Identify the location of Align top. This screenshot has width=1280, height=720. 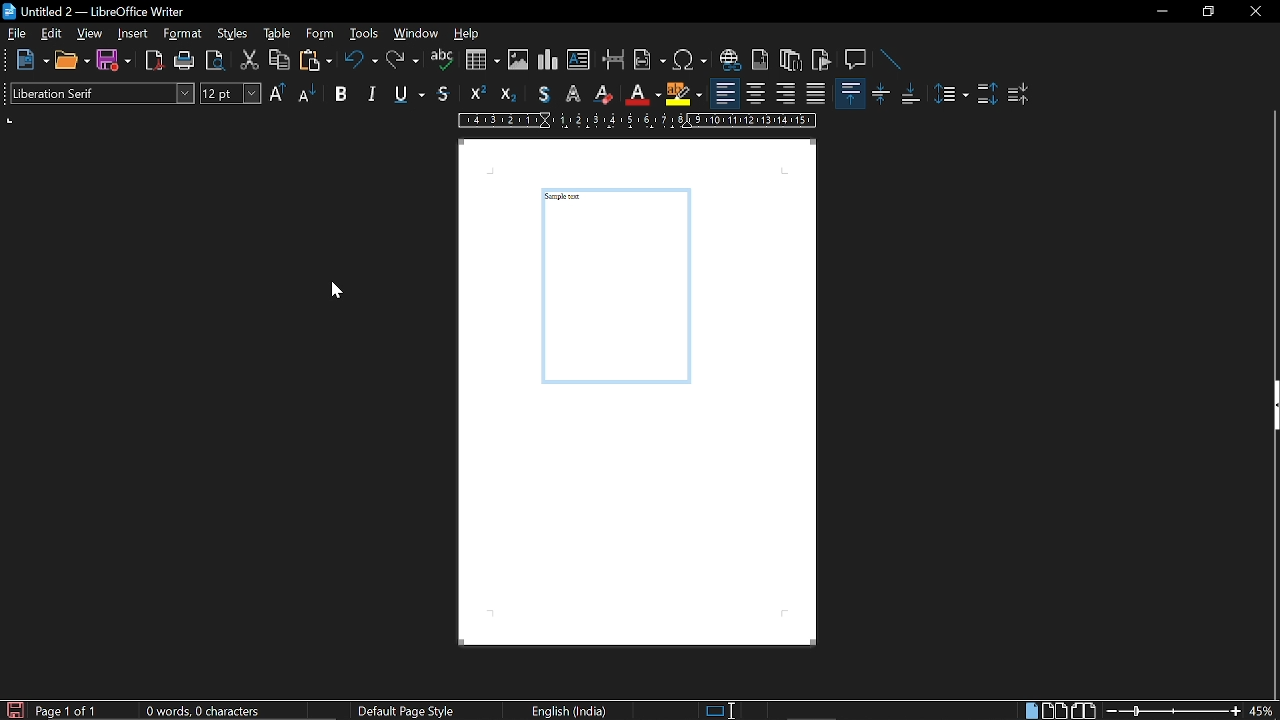
(849, 92).